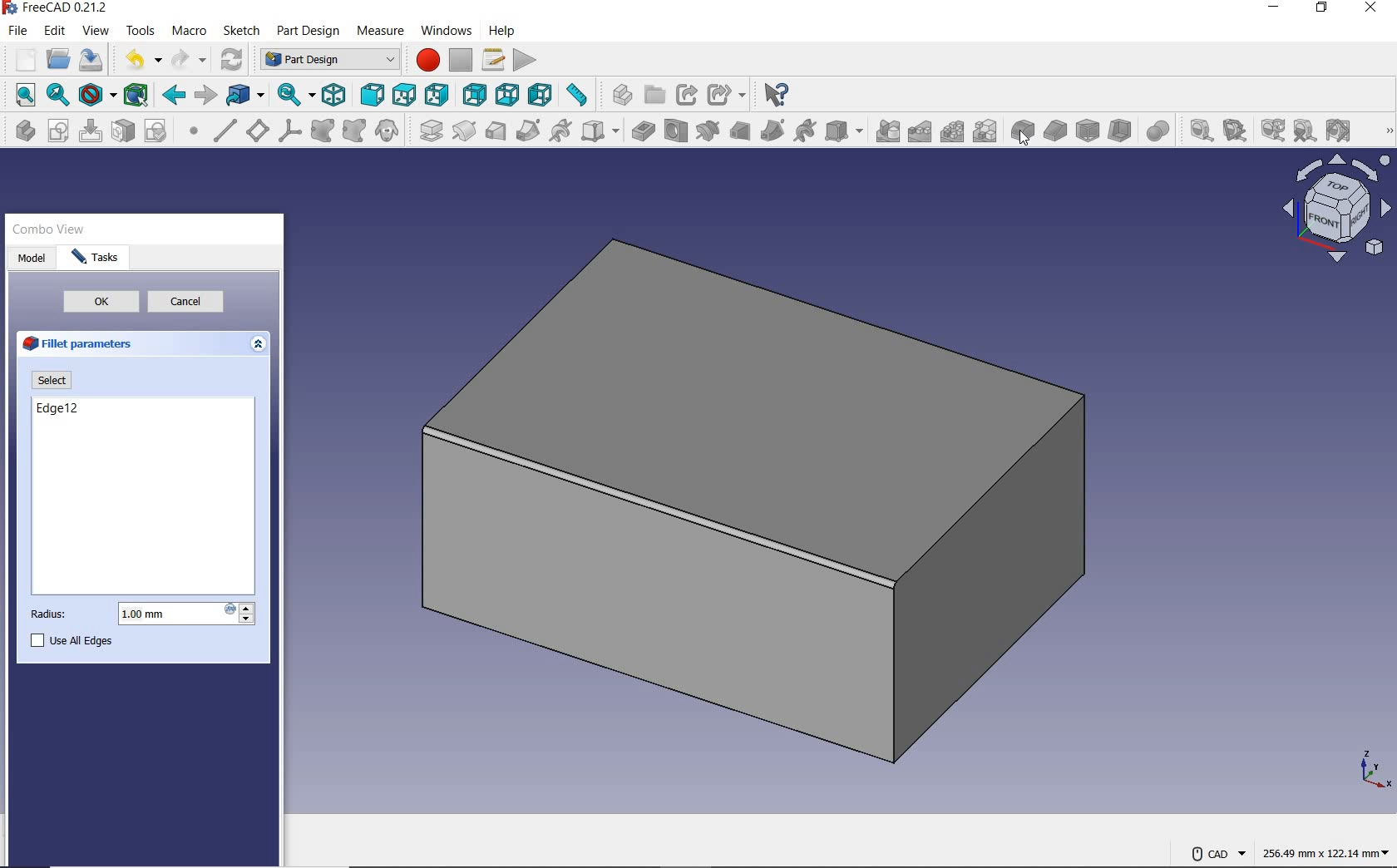 This screenshot has height=868, width=1397. What do you see at coordinates (493, 58) in the screenshot?
I see `macros` at bounding box center [493, 58].